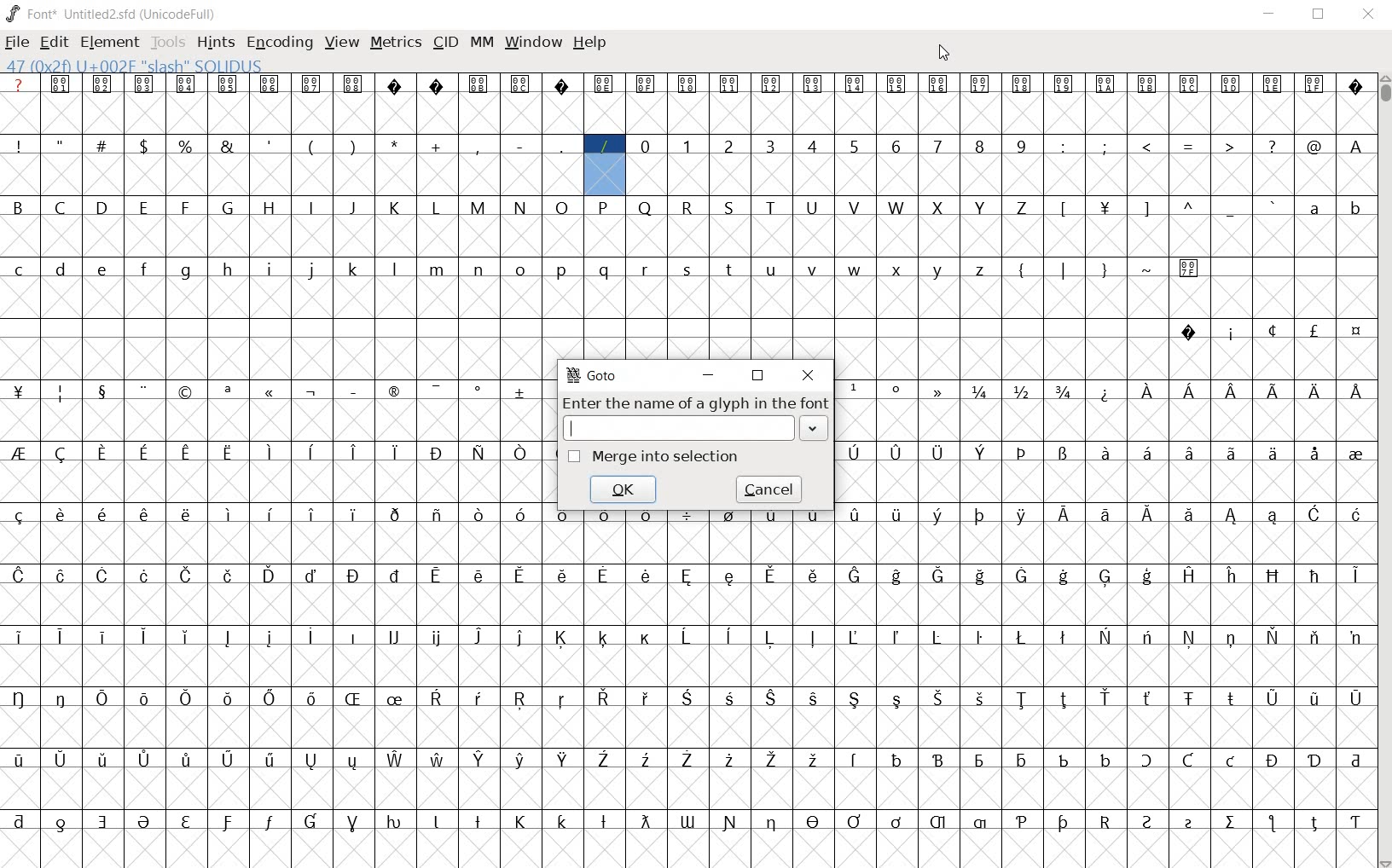 The image size is (1392, 868). I want to click on glyph, so click(1064, 391).